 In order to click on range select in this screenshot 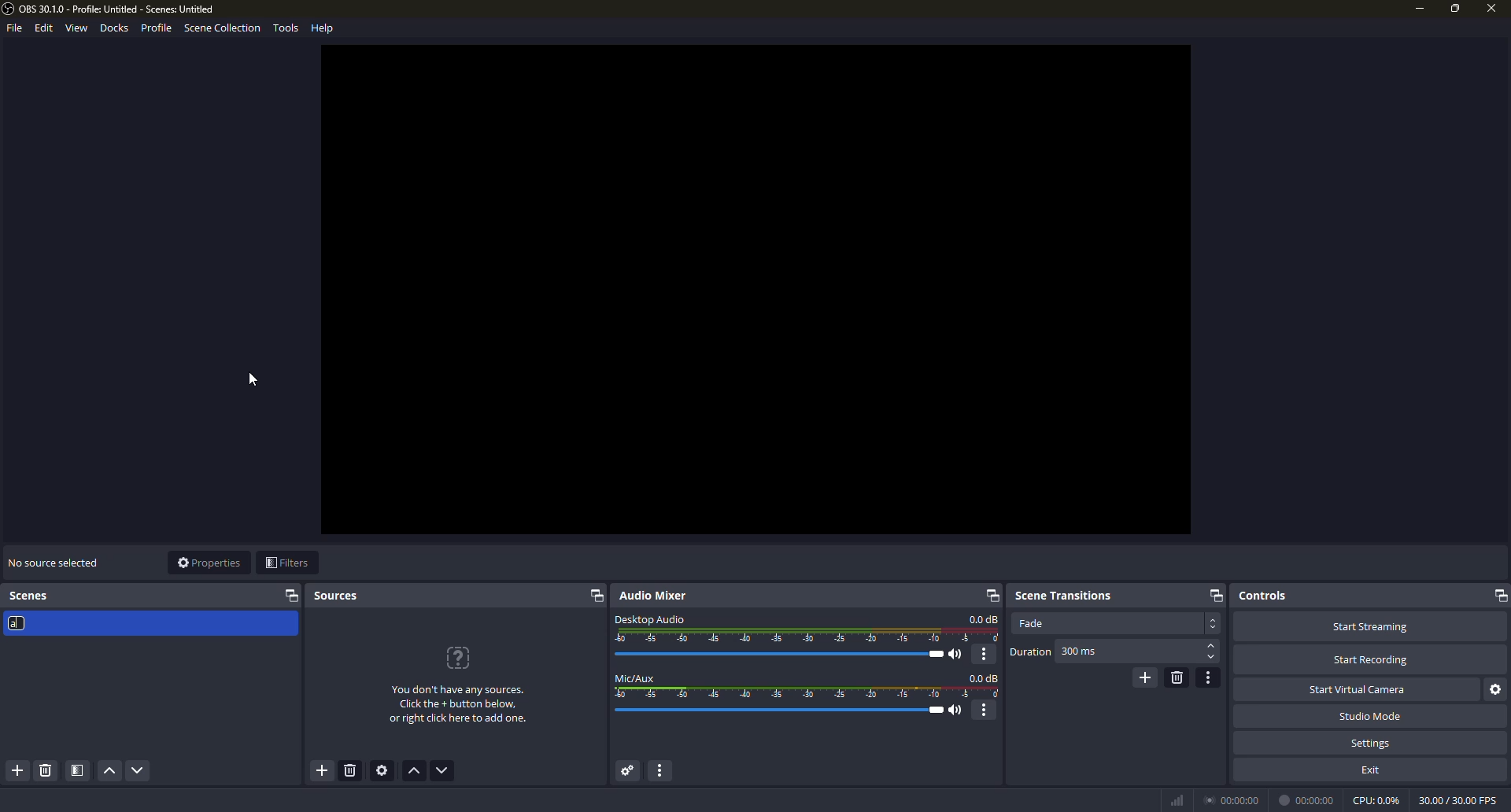, I will do `click(808, 693)`.